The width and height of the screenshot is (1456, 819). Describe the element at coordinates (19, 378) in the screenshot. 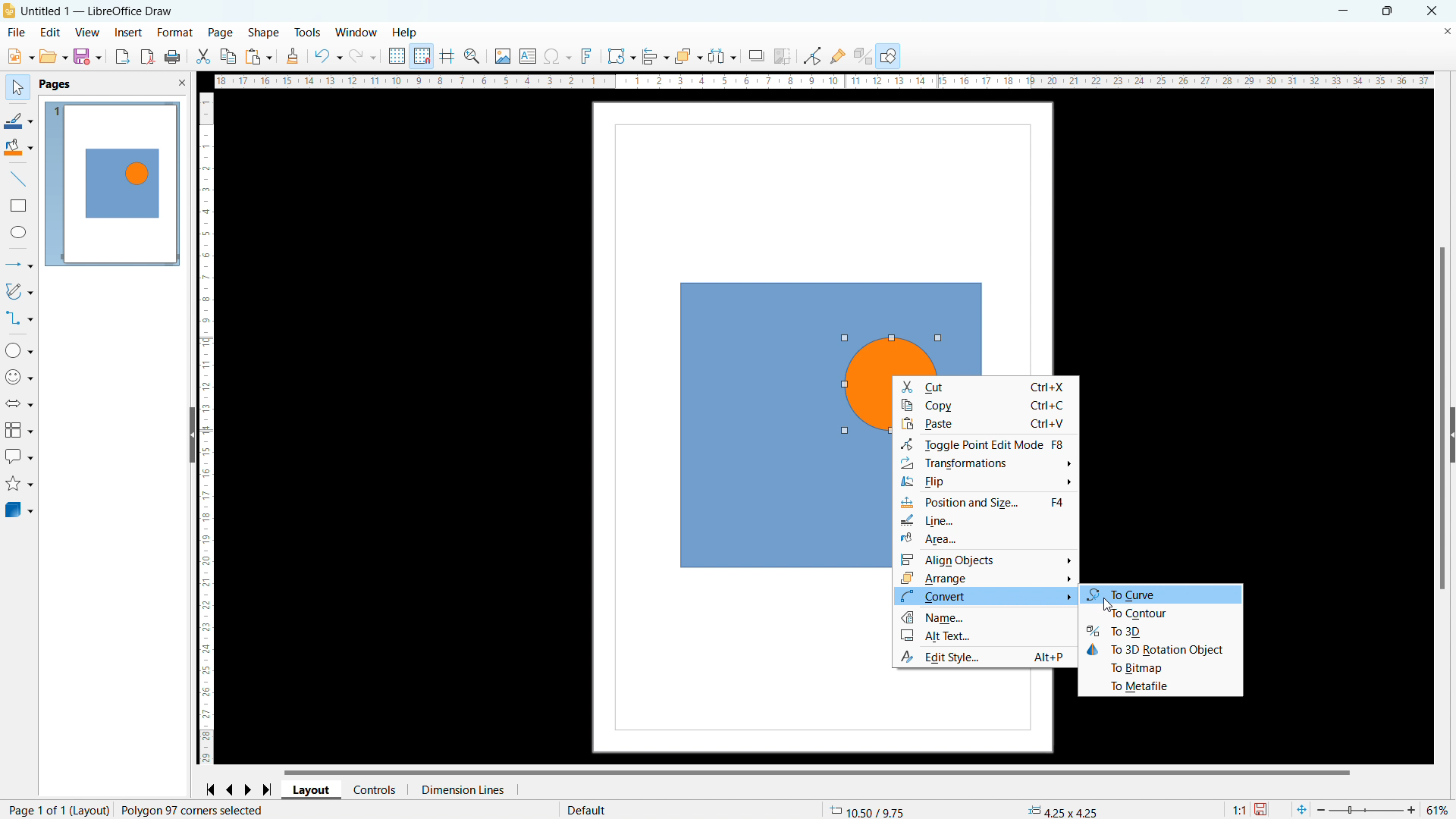

I see `symbol shapes` at that location.